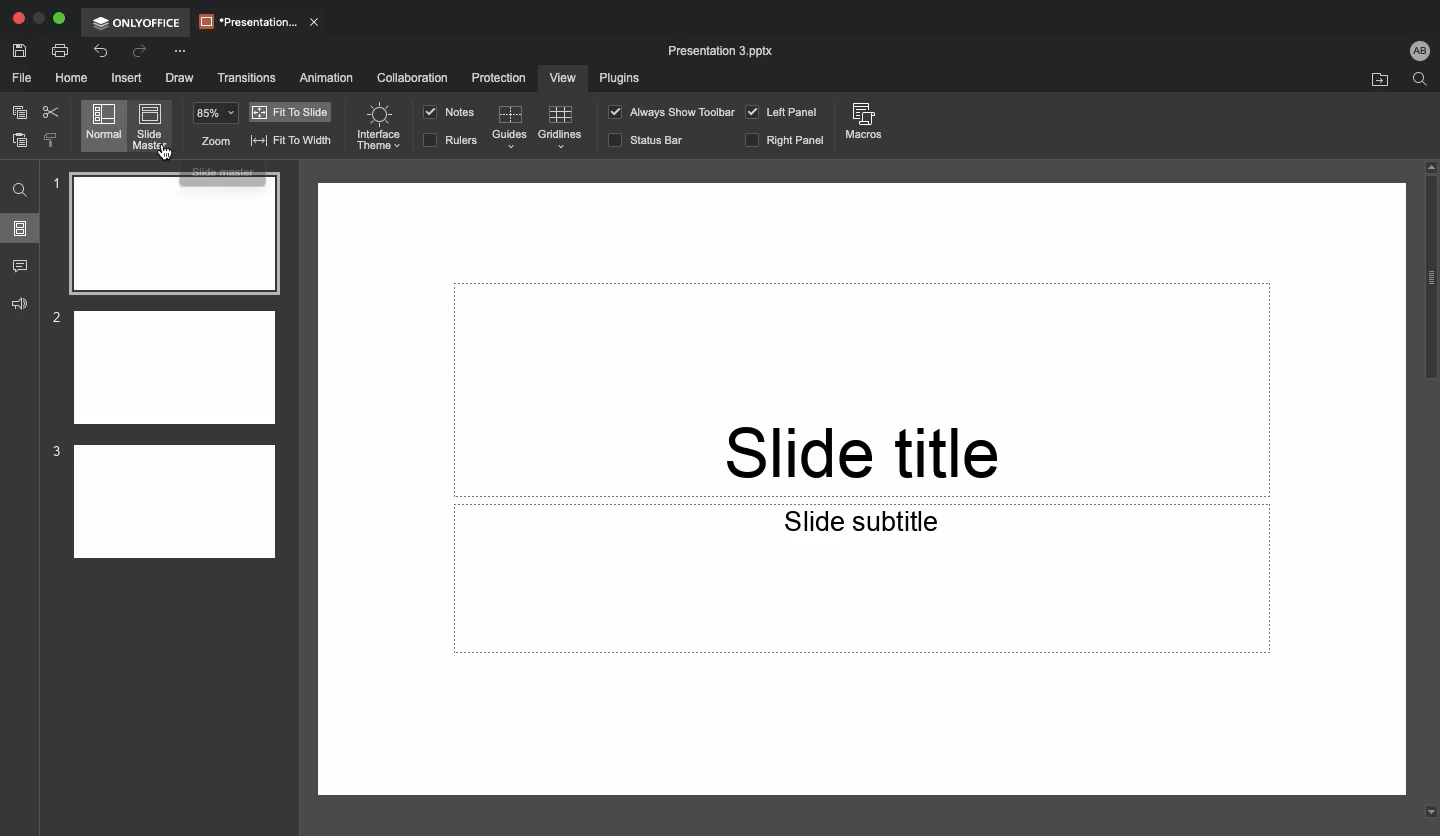  I want to click on File, so click(19, 76).